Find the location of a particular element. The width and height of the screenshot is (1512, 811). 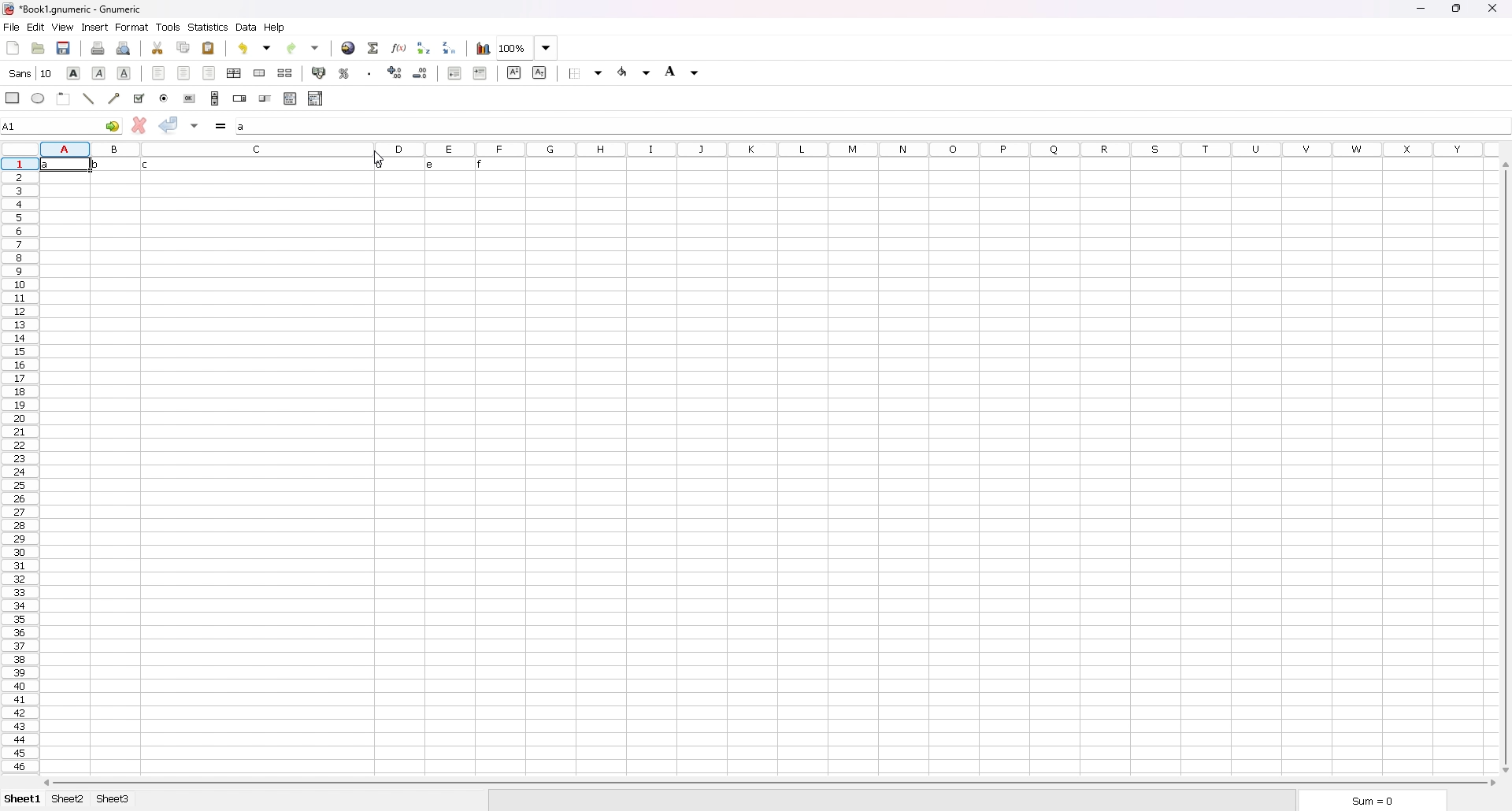

button is located at coordinates (191, 98).